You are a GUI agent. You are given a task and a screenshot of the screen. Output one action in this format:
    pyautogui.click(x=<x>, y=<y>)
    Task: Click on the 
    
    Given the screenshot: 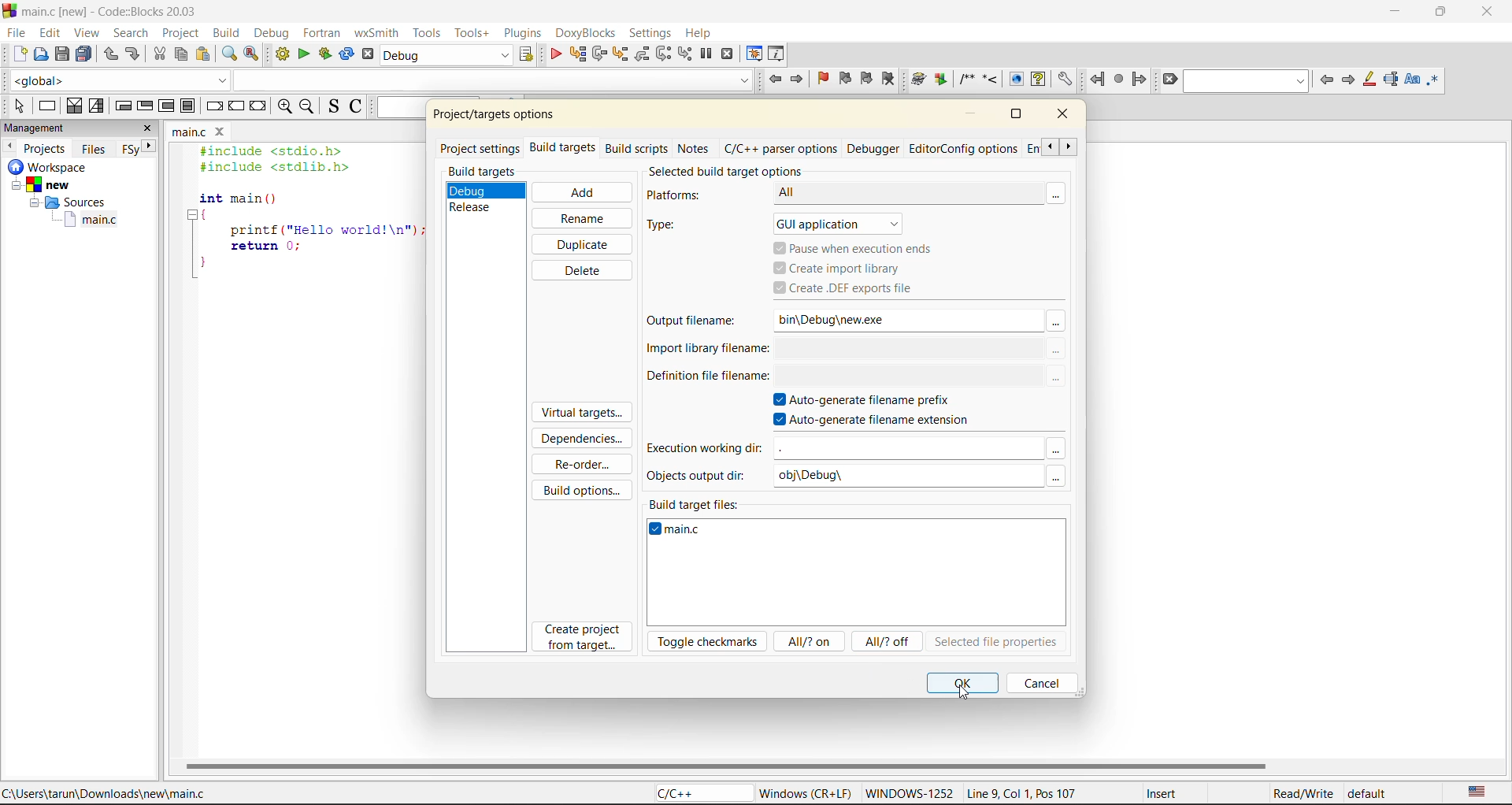 What is the action you would take?
    pyautogui.click(x=1056, y=477)
    